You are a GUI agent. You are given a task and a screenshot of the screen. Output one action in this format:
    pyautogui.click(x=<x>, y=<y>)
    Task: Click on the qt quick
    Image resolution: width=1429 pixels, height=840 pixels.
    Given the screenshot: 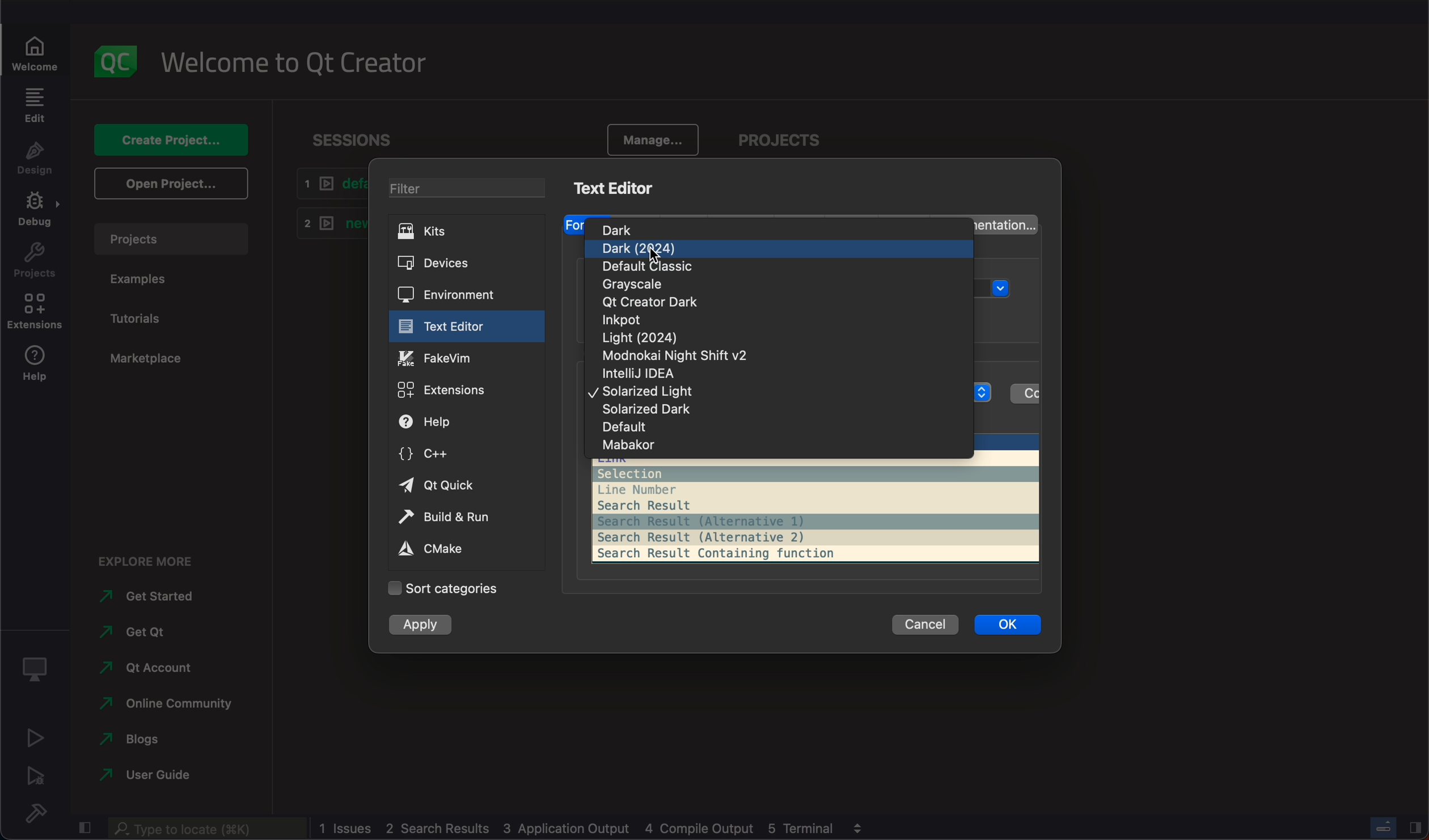 What is the action you would take?
    pyautogui.click(x=465, y=485)
    